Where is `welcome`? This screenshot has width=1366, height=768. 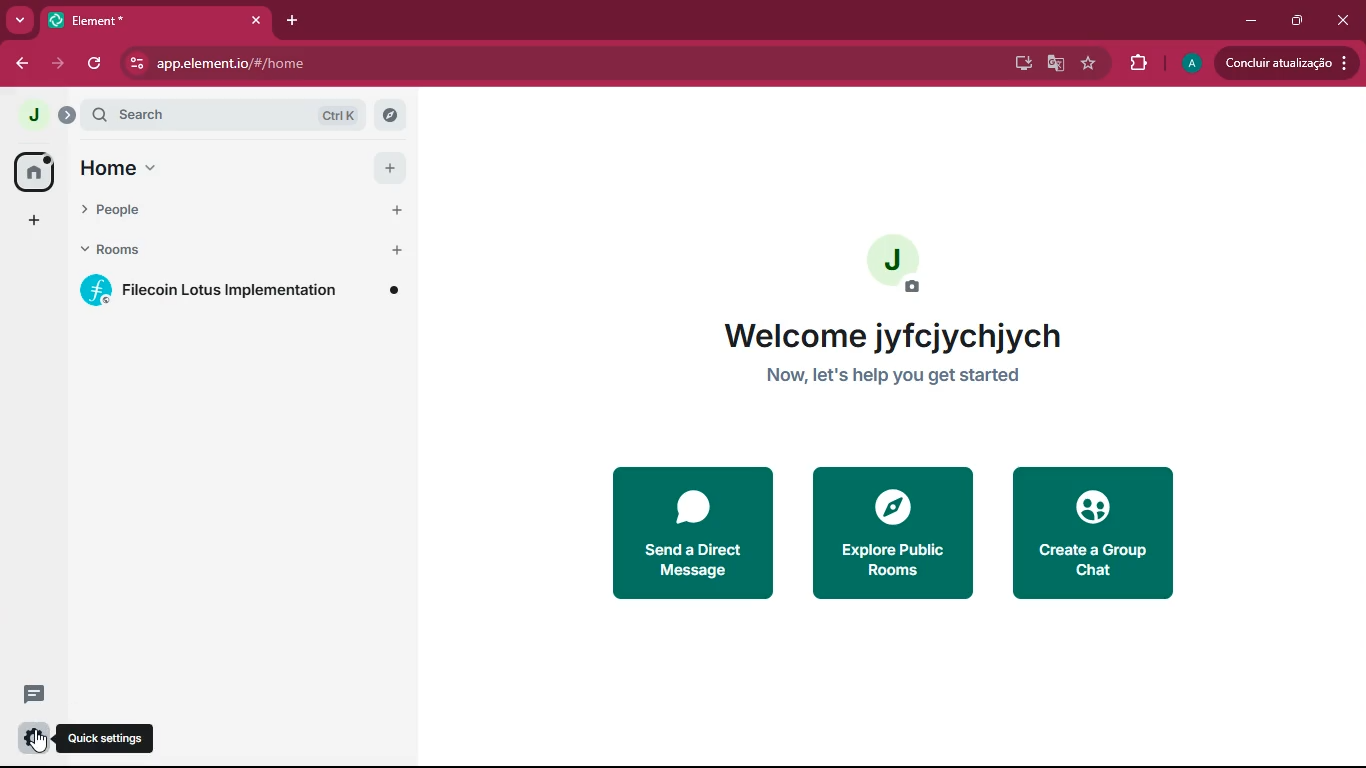
welcome is located at coordinates (913, 336).